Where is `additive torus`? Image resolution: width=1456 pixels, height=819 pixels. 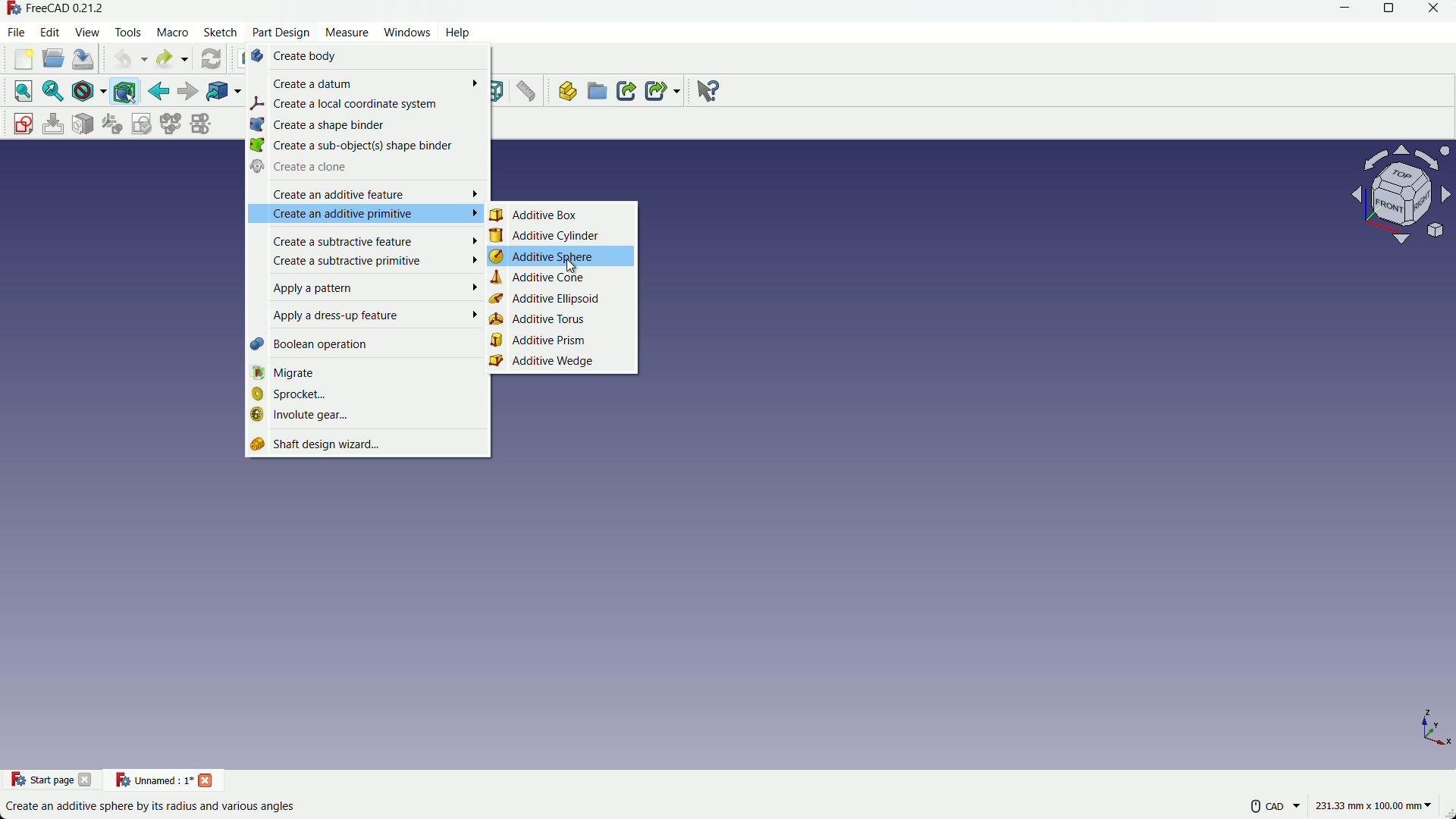 additive torus is located at coordinates (559, 321).